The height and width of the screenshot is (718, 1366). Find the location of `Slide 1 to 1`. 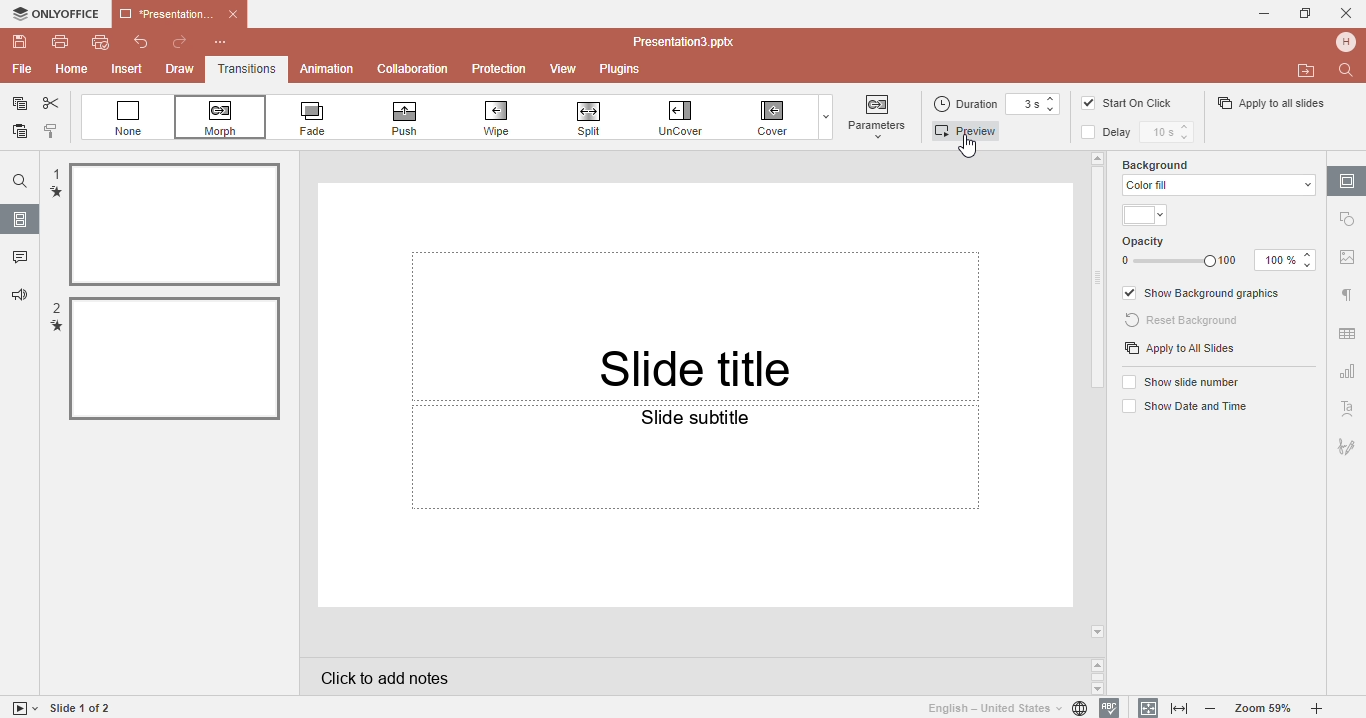

Slide 1 to 1 is located at coordinates (82, 708).